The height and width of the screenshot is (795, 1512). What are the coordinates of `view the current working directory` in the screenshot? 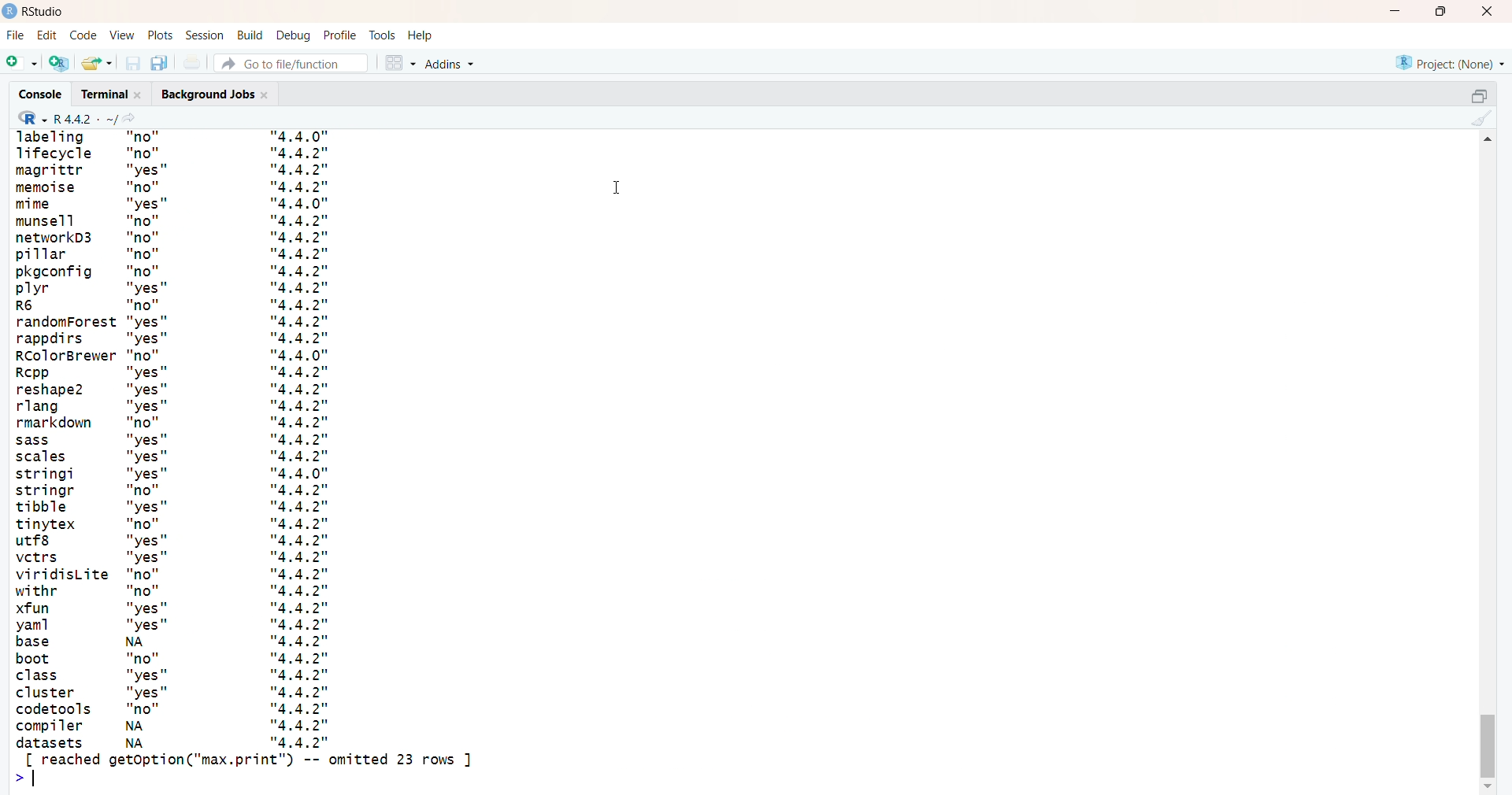 It's located at (130, 120).